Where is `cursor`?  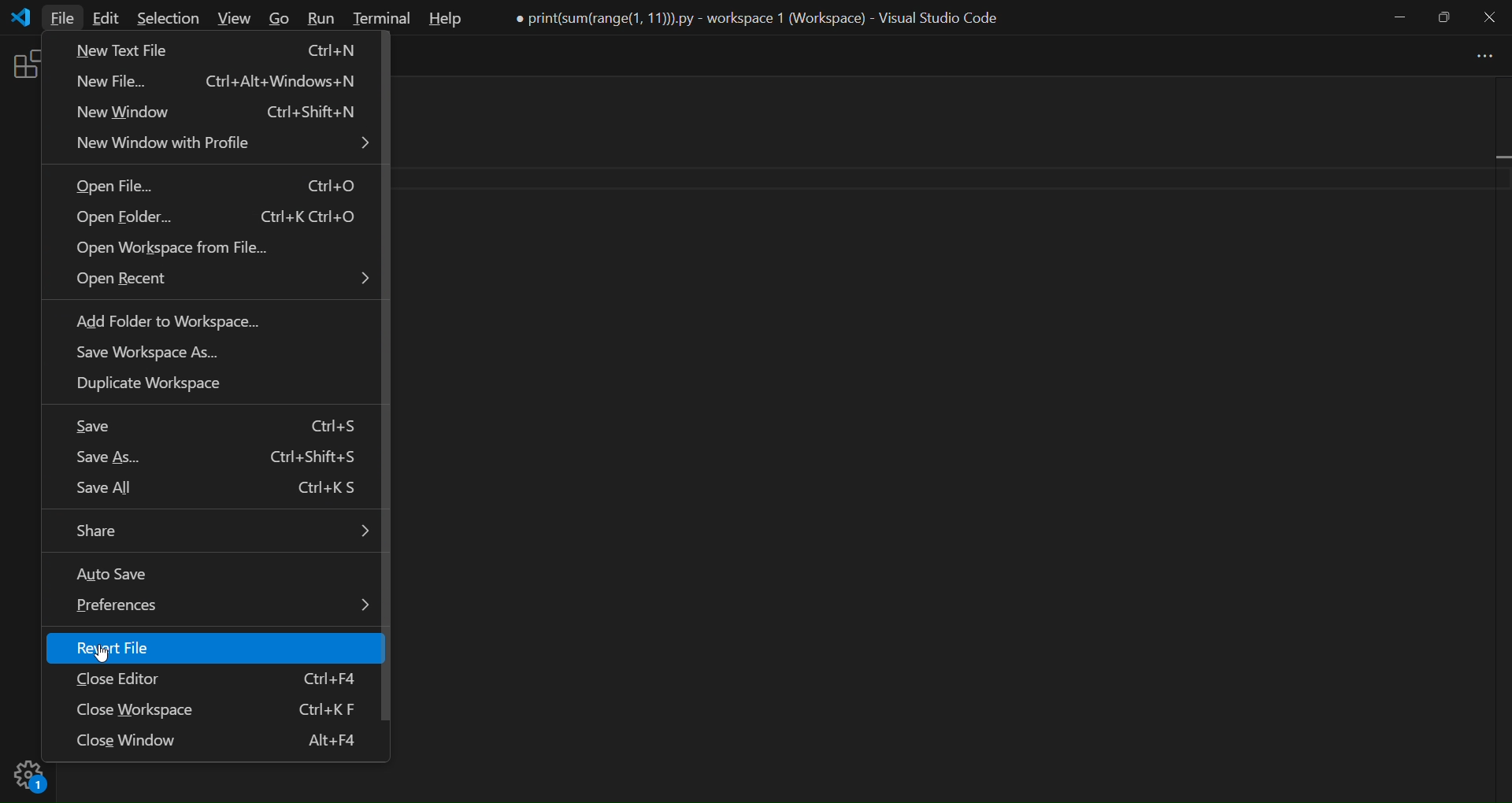
cursor is located at coordinates (110, 653).